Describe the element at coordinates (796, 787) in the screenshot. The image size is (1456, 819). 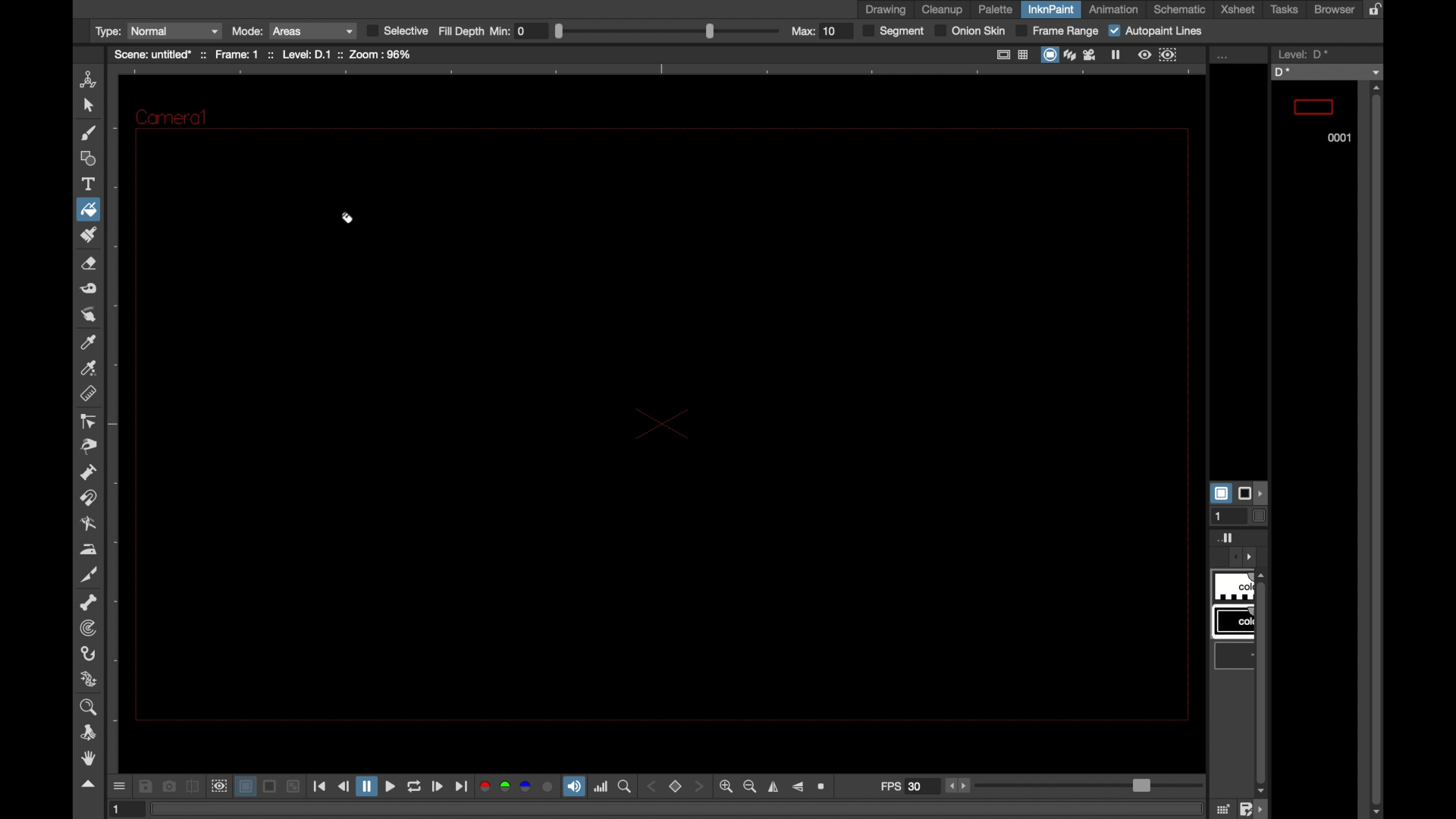
I see `flip vertically` at that location.